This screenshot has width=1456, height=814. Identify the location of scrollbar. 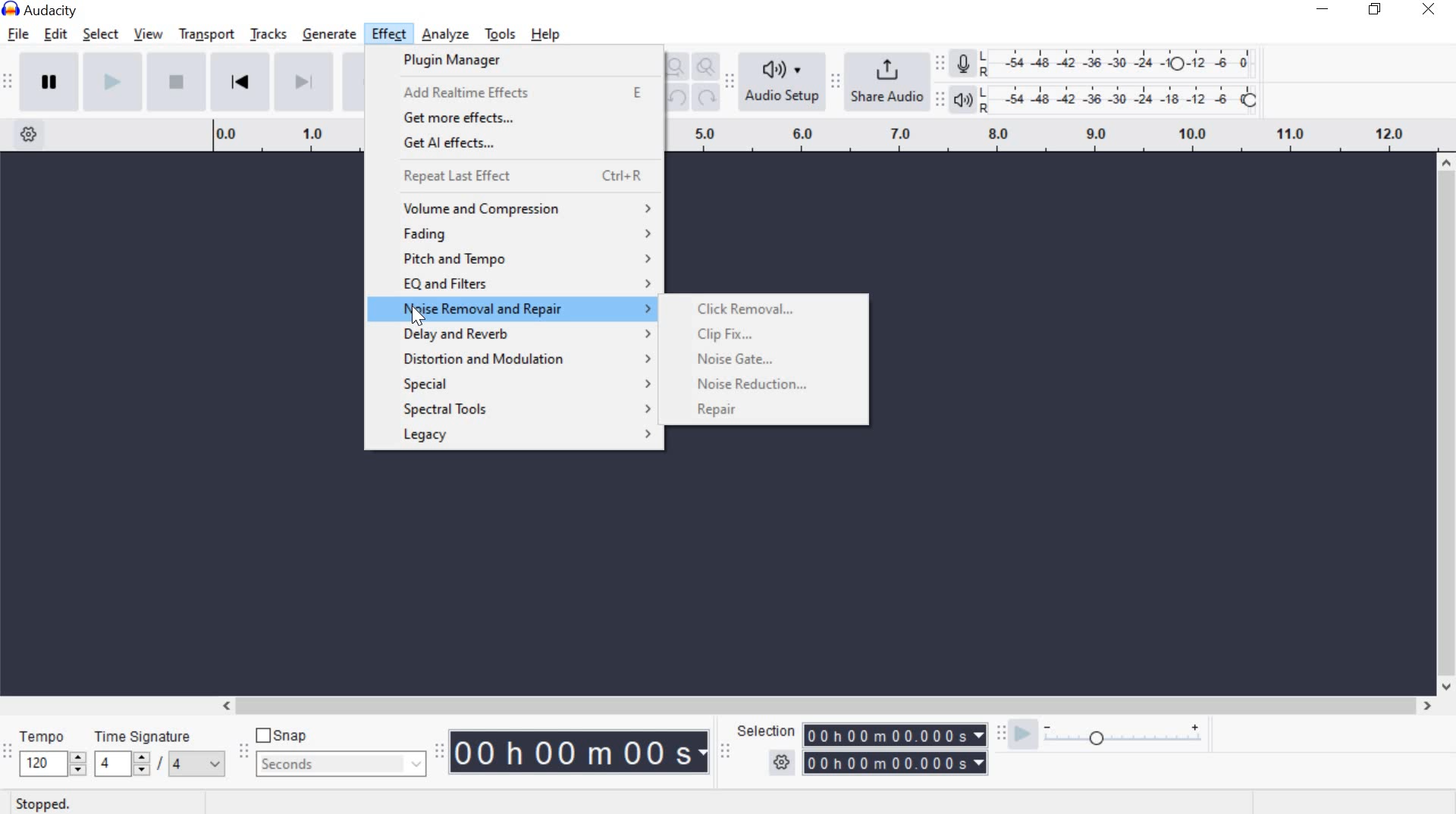
(827, 706).